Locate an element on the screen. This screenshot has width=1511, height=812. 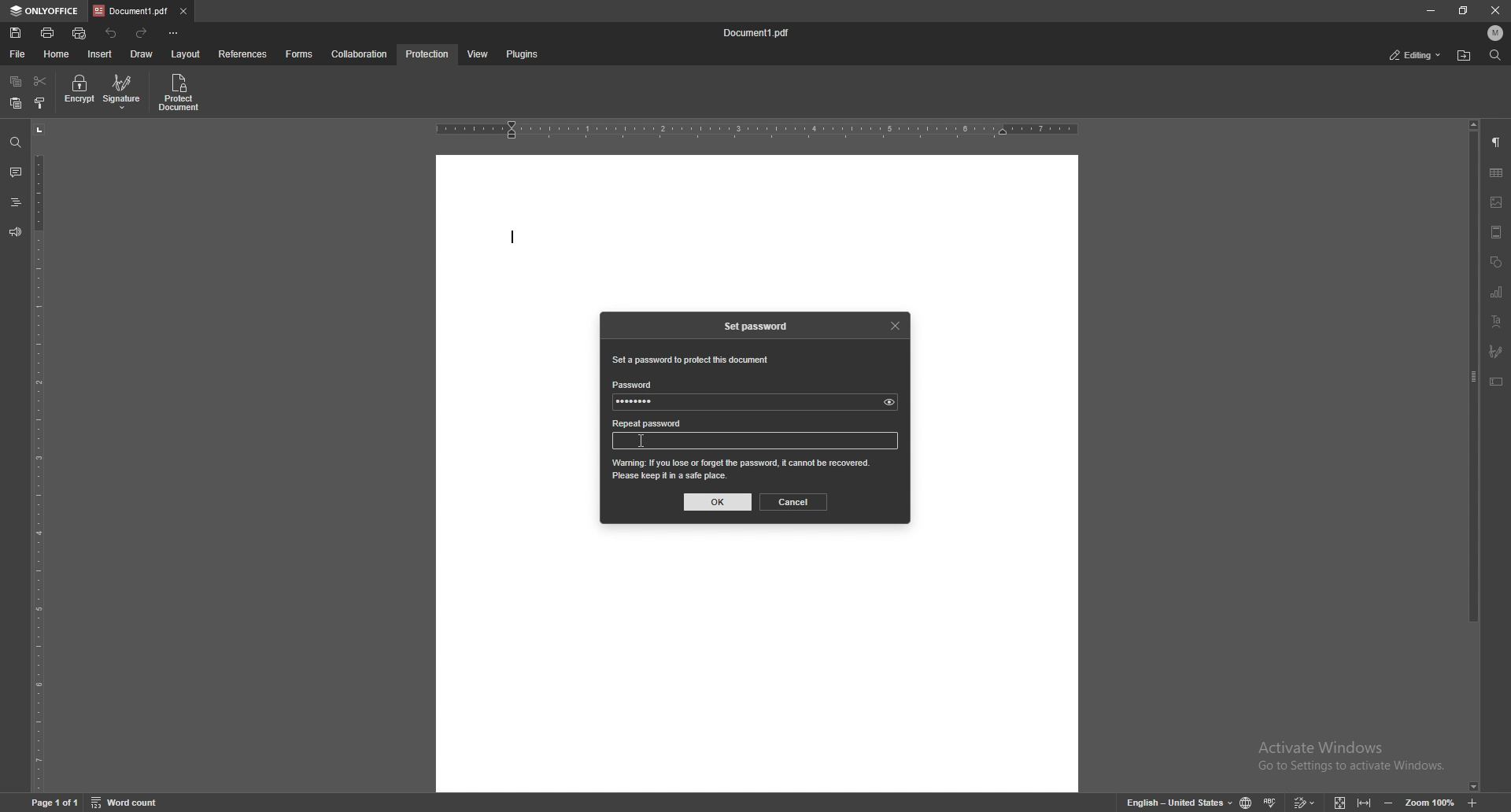
feedback is located at coordinates (14, 233).